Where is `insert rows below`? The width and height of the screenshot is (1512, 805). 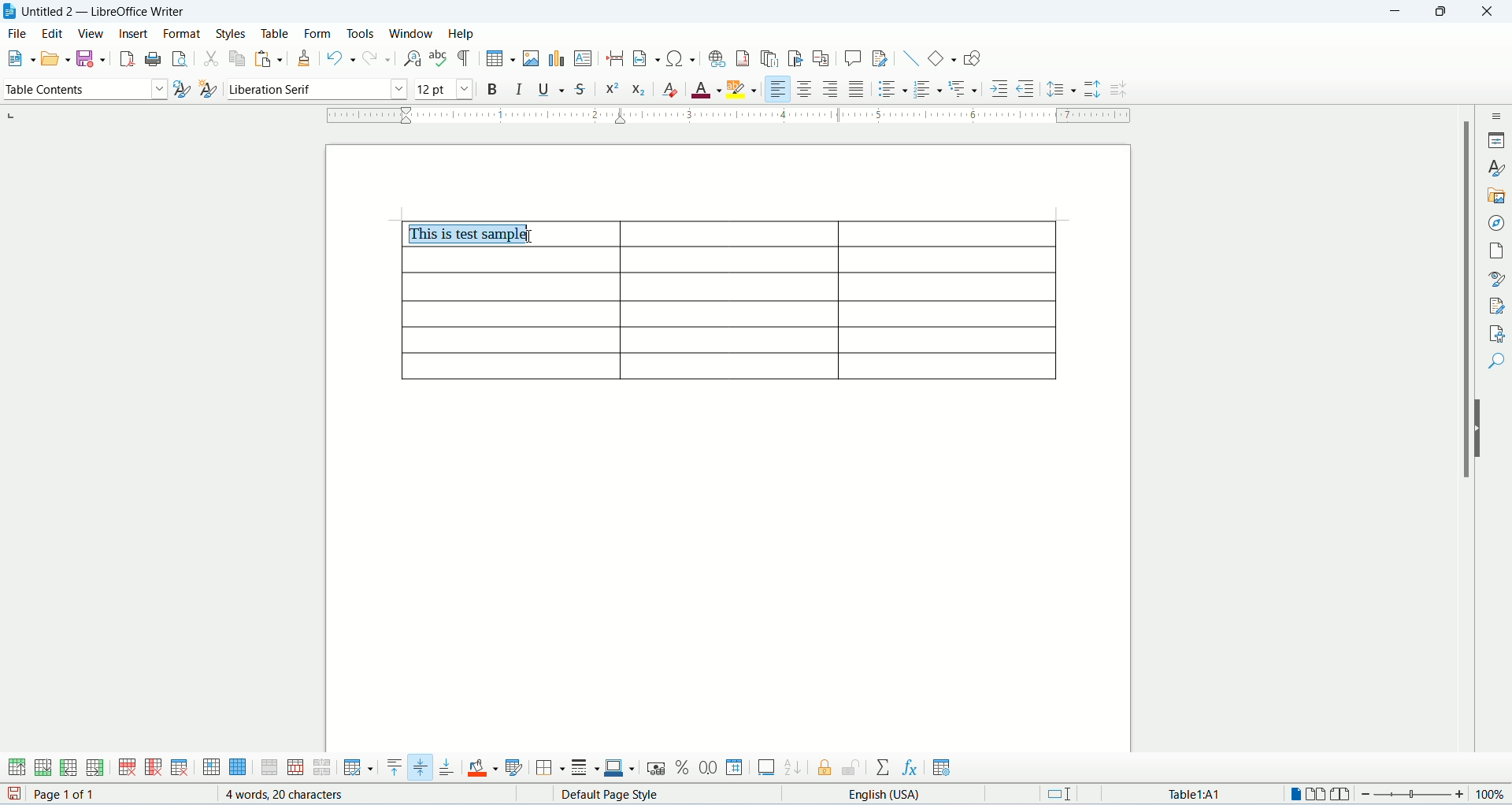
insert rows below is located at coordinates (42, 768).